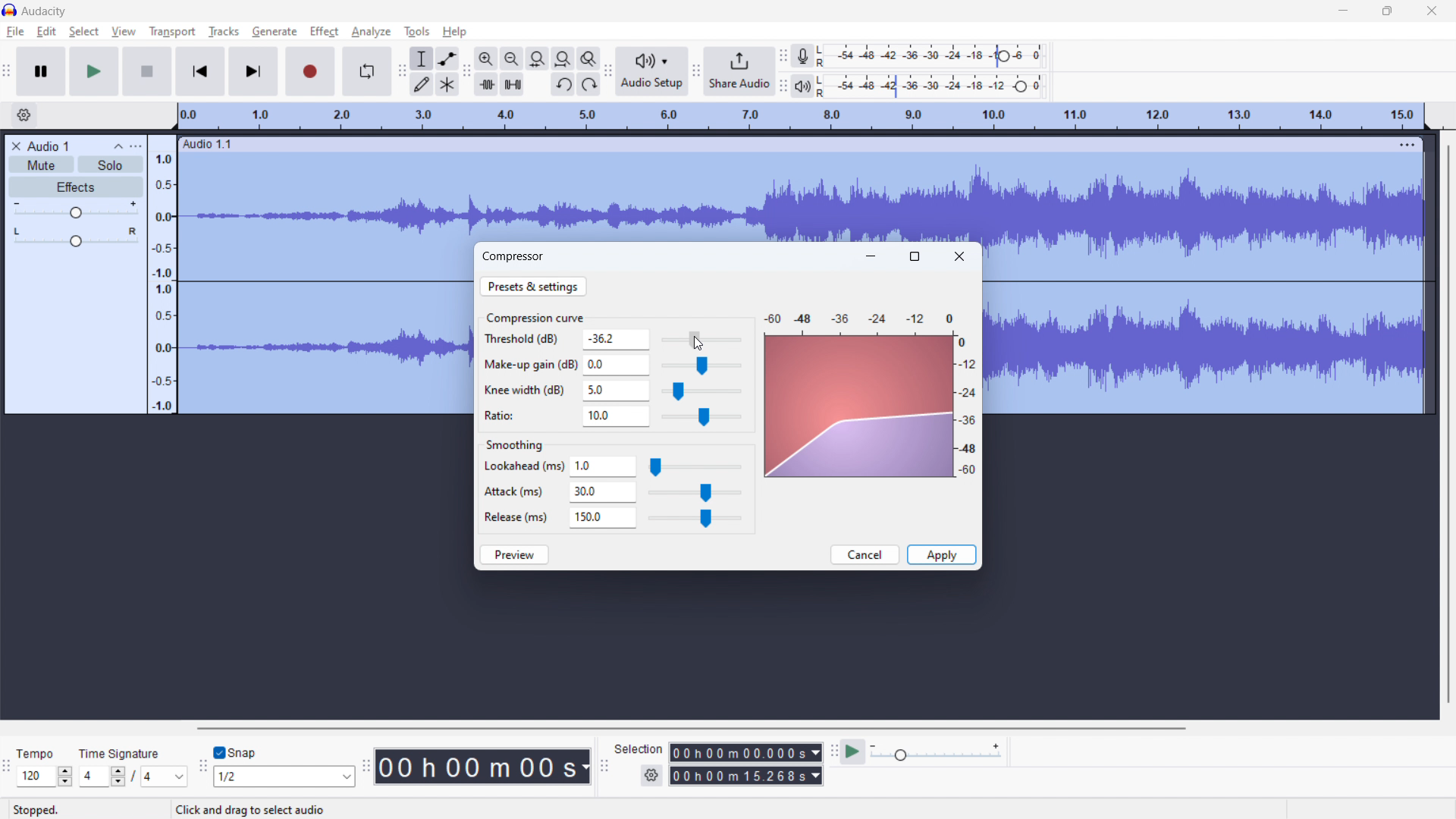 This screenshot has width=1456, height=819. What do you see at coordinates (789, 143) in the screenshot?
I see `hold to move` at bounding box center [789, 143].